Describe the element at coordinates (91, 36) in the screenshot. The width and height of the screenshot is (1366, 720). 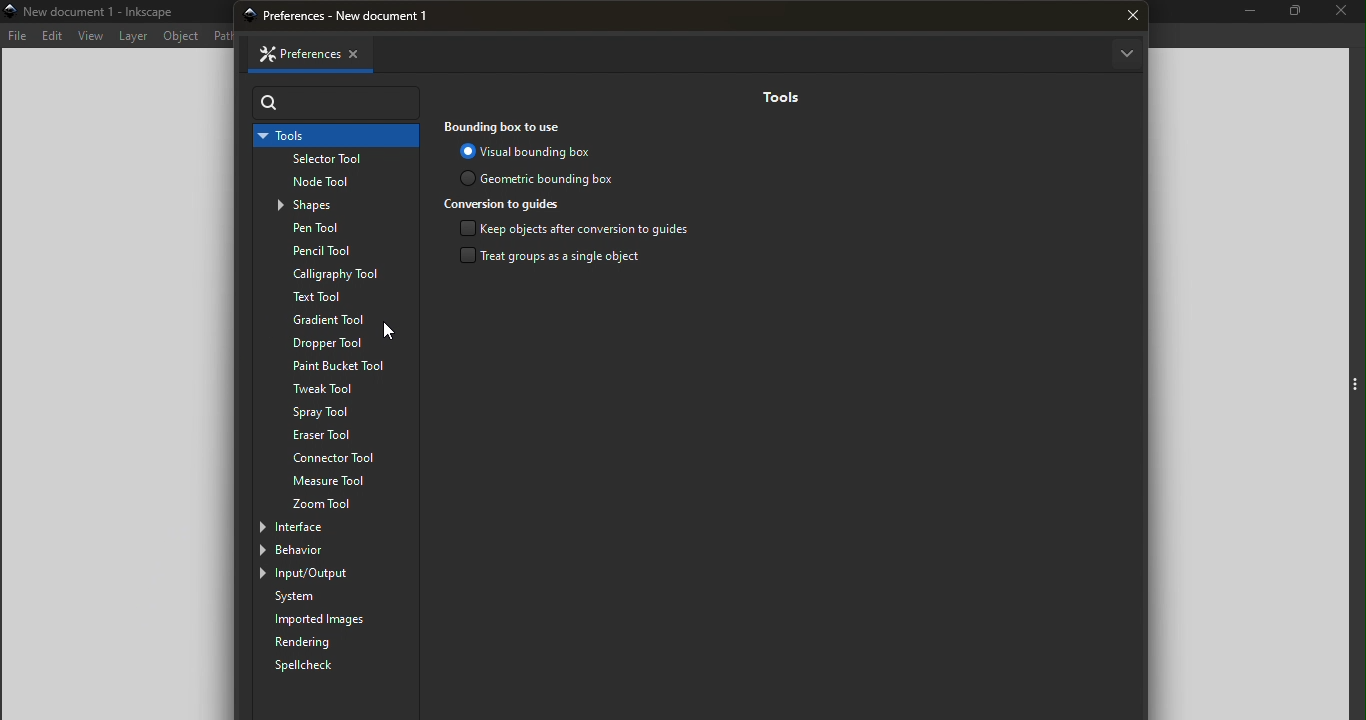
I see `View` at that location.